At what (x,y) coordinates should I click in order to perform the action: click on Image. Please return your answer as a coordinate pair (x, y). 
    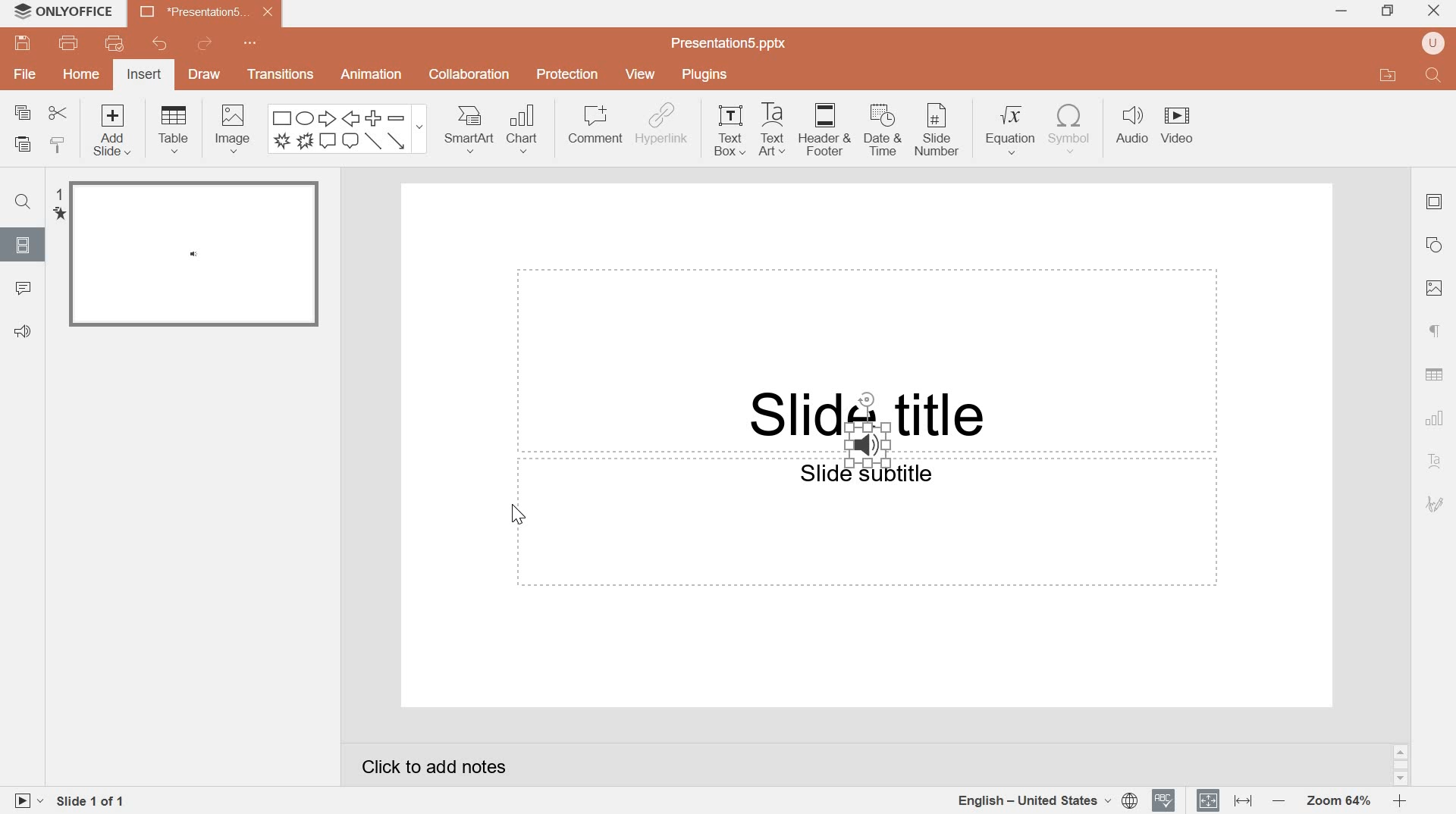
    Looking at the image, I should click on (233, 130).